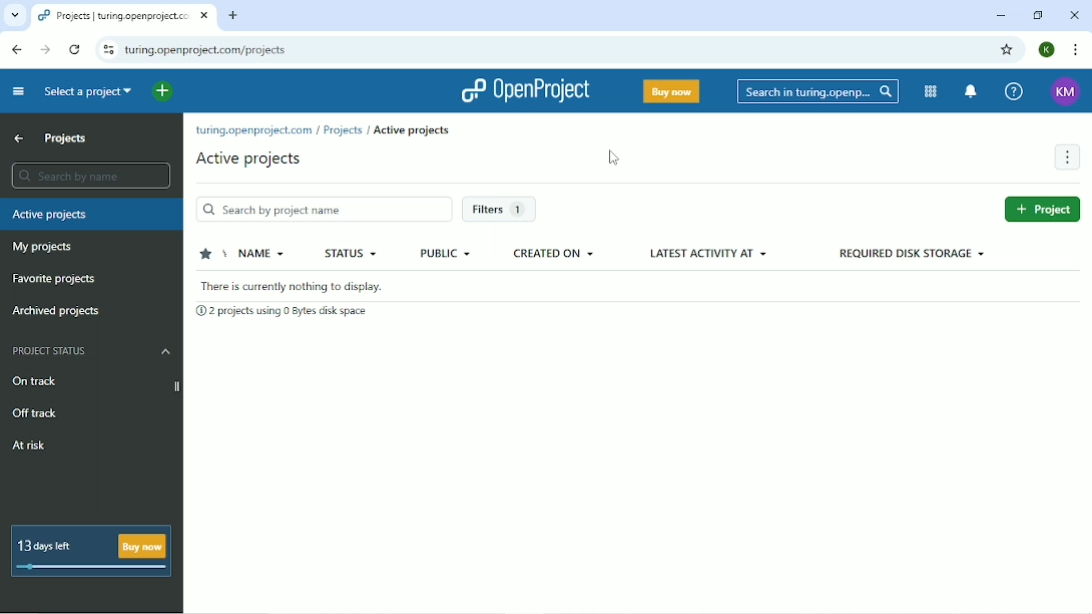 The height and width of the screenshot is (614, 1092). Describe the element at coordinates (87, 93) in the screenshot. I see `Select a project` at that location.